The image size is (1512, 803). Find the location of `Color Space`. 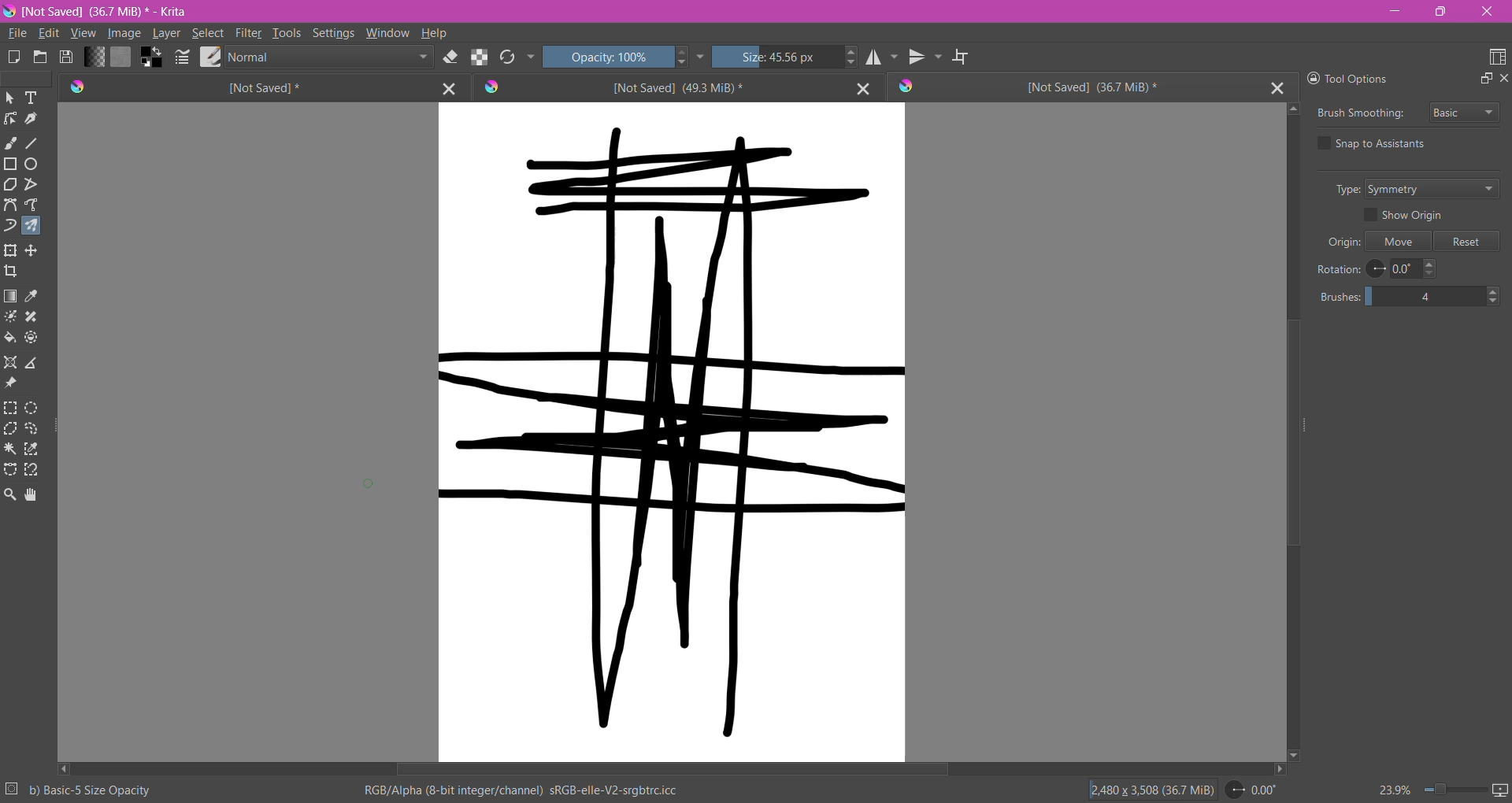

Color Space is located at coordinates (521, 790).